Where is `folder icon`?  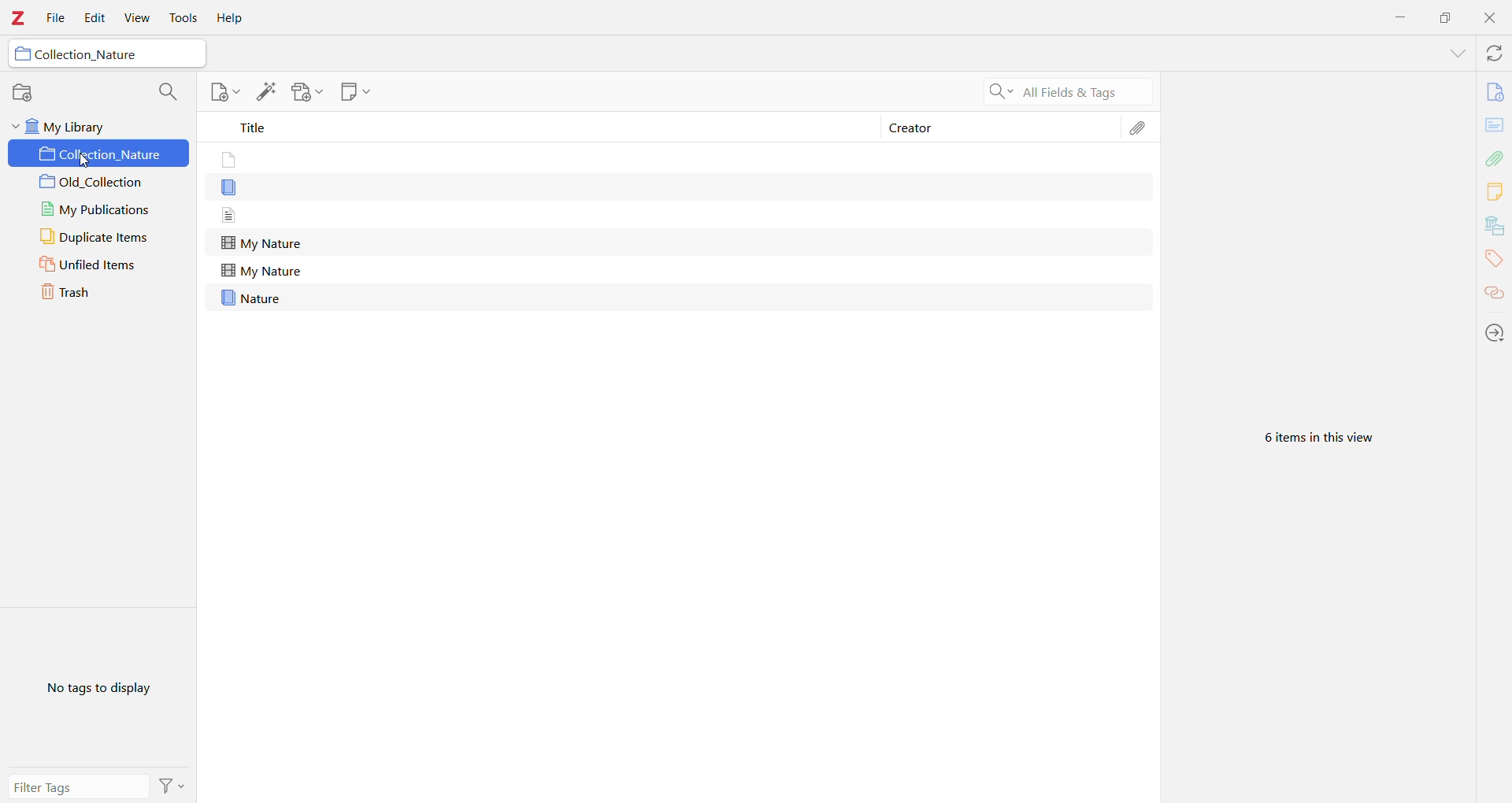
folder icon is located at coordinates (20, 55).